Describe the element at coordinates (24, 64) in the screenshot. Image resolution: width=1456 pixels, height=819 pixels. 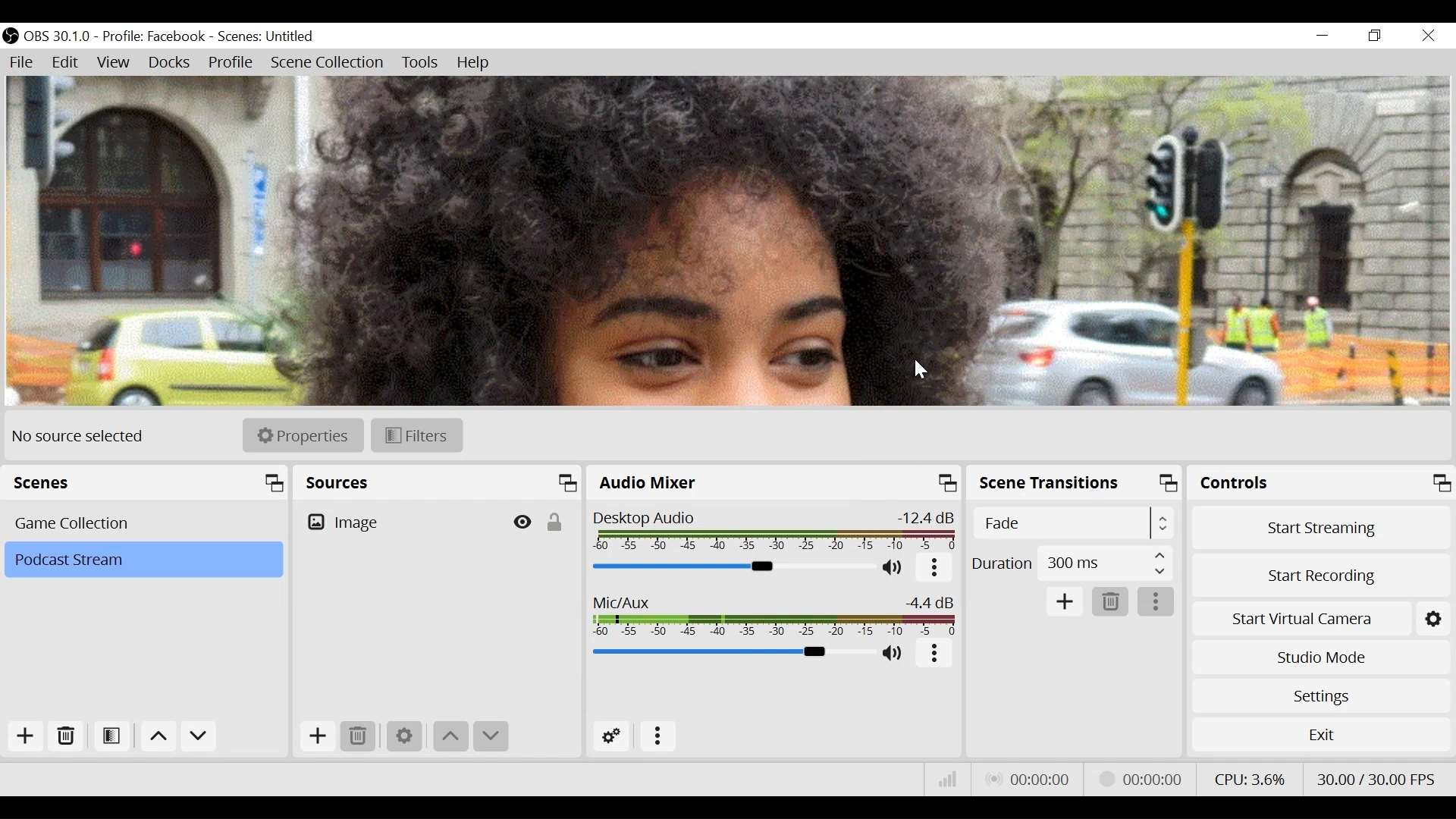
I see `File` at that location.